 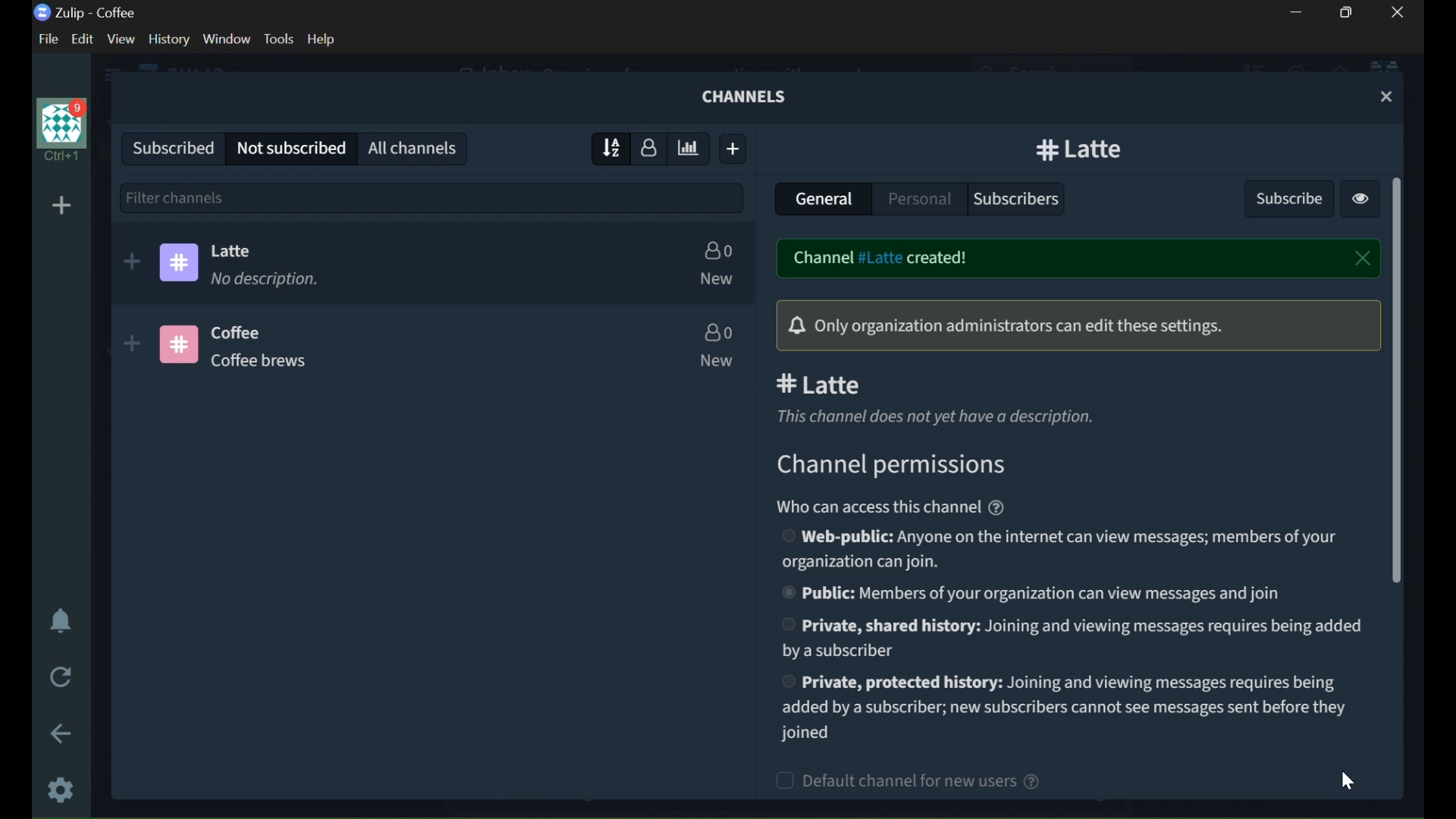 I want to click on #Latte, so click(x=962, y=384).